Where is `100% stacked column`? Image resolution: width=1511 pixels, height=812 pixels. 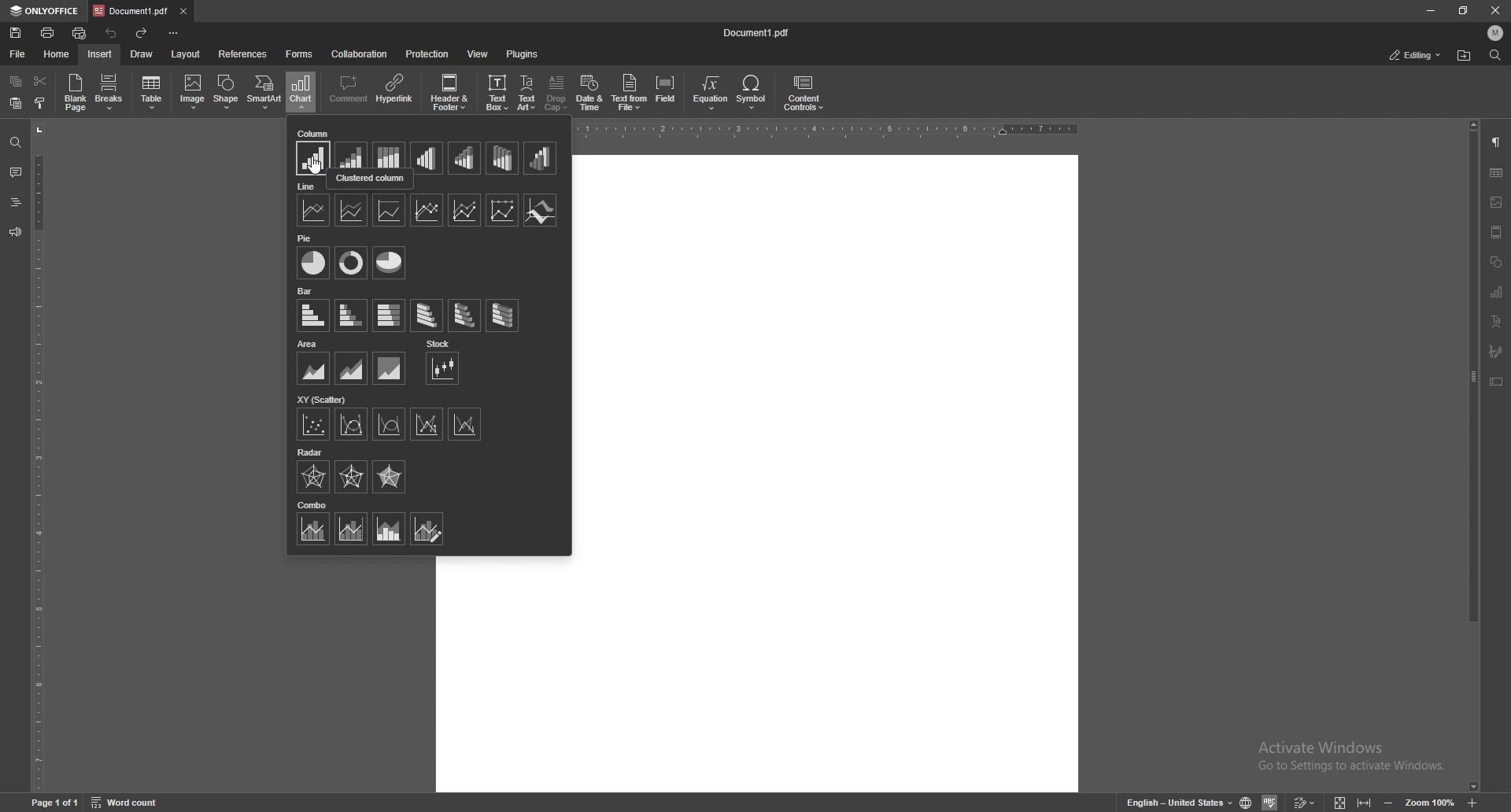 100% stacked column is located at coordinates (389, 155).